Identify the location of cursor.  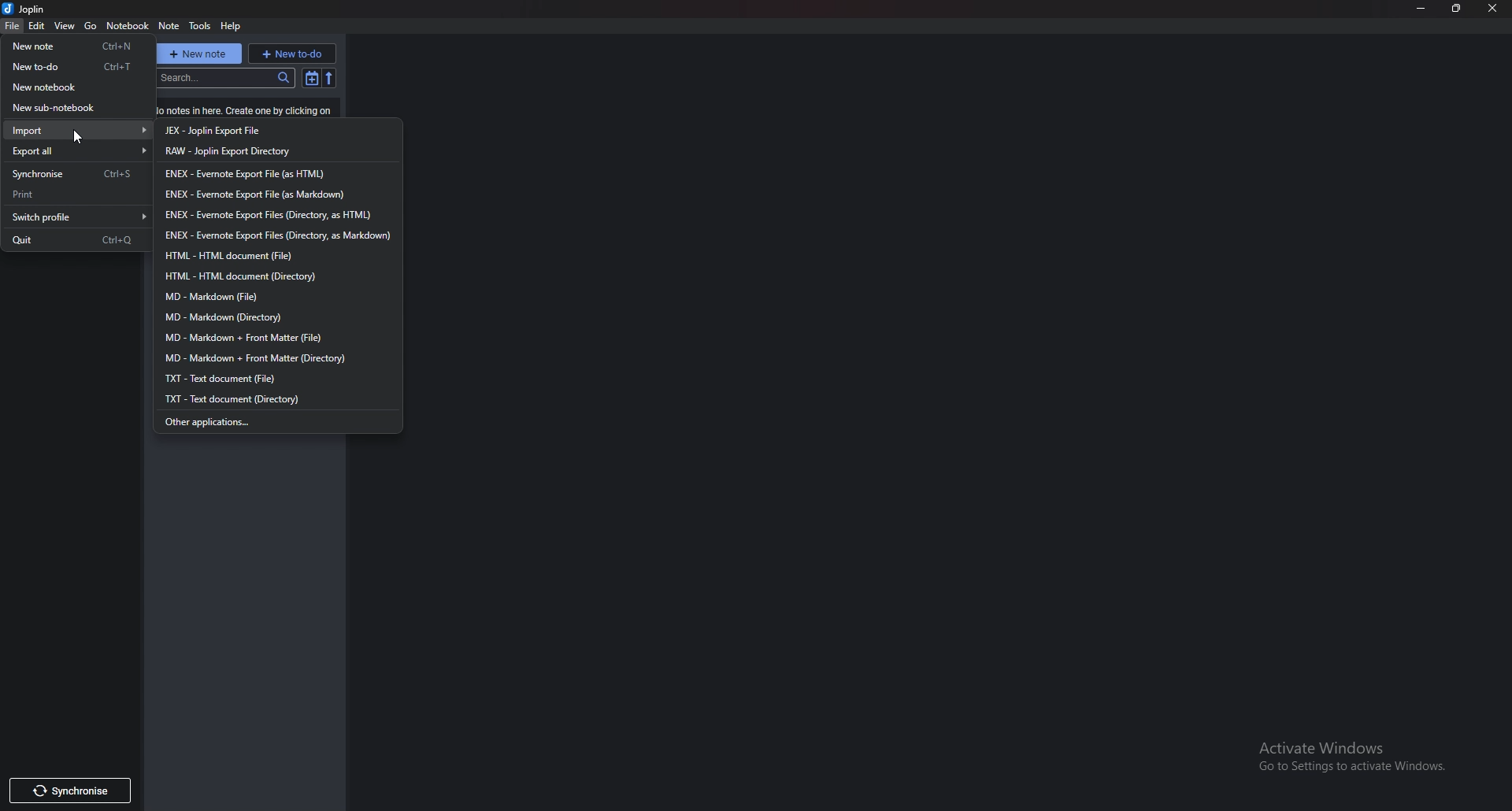
(80, 138).